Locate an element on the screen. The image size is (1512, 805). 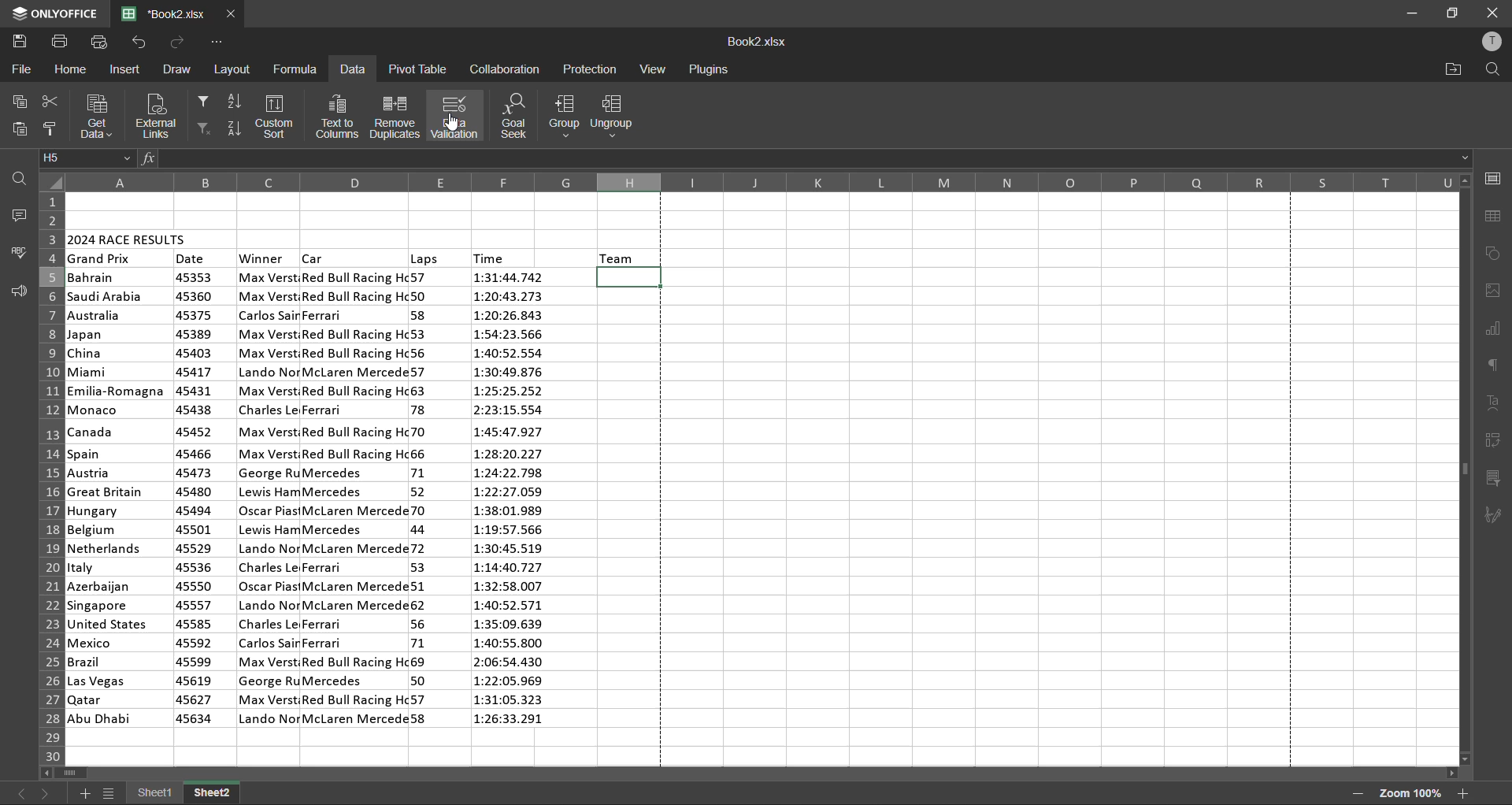
data validation is located at coordinates (457, 116).